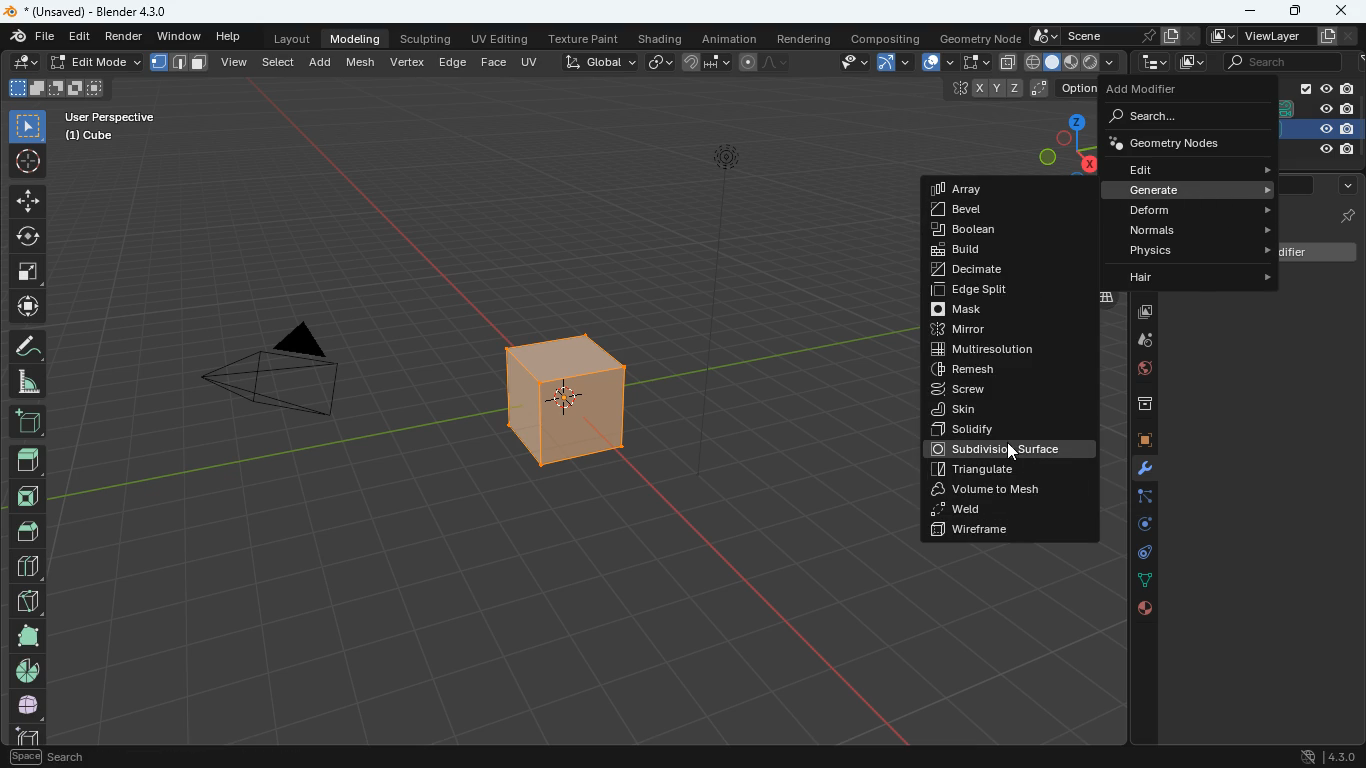 The image size is (1366, 768). What do you see at coordinates (1322, 129) in the screenshot?
I see `cube` at bounding box center [1322, 129].